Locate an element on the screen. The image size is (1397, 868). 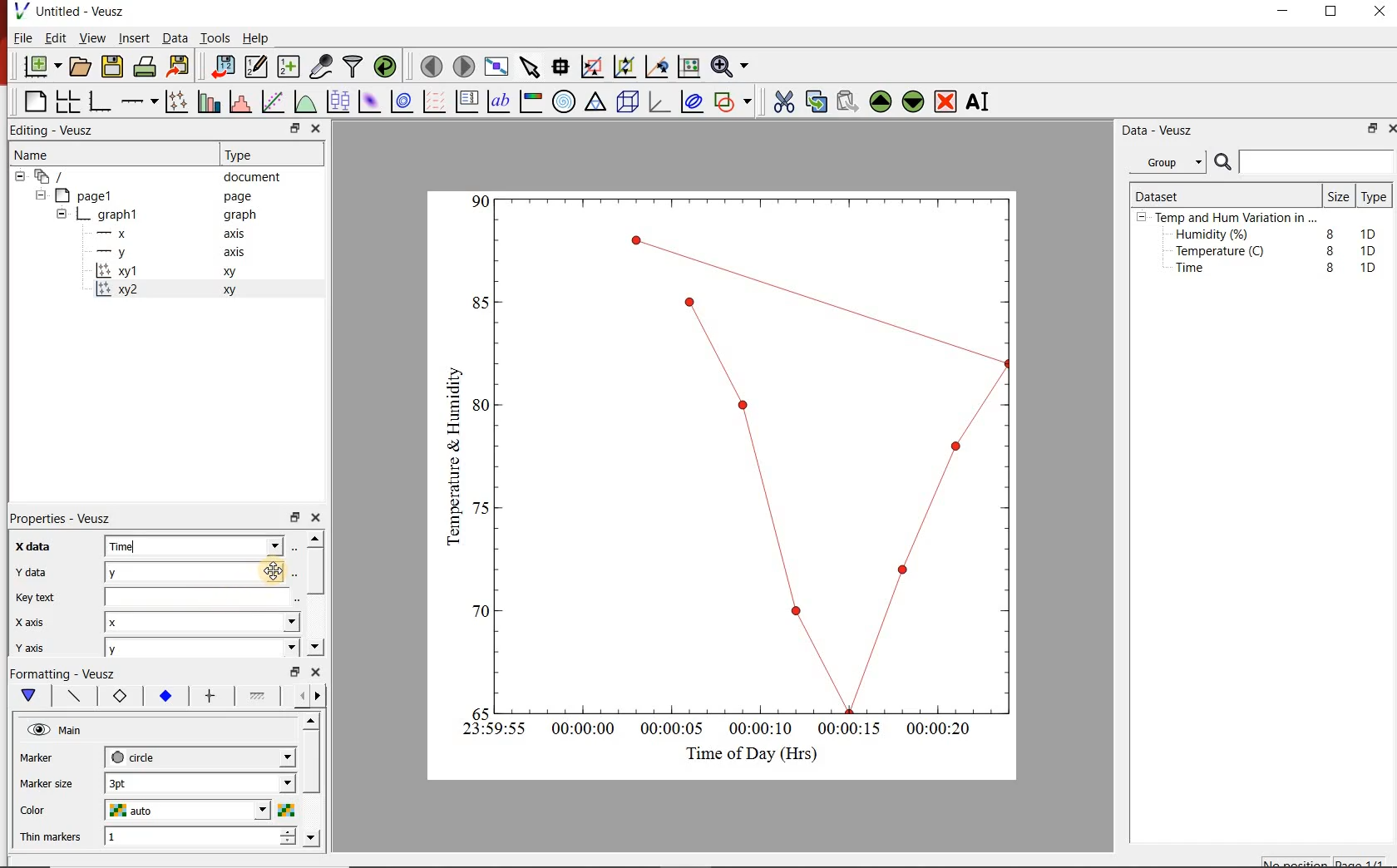
Marker is located at coordinates (49, 759).